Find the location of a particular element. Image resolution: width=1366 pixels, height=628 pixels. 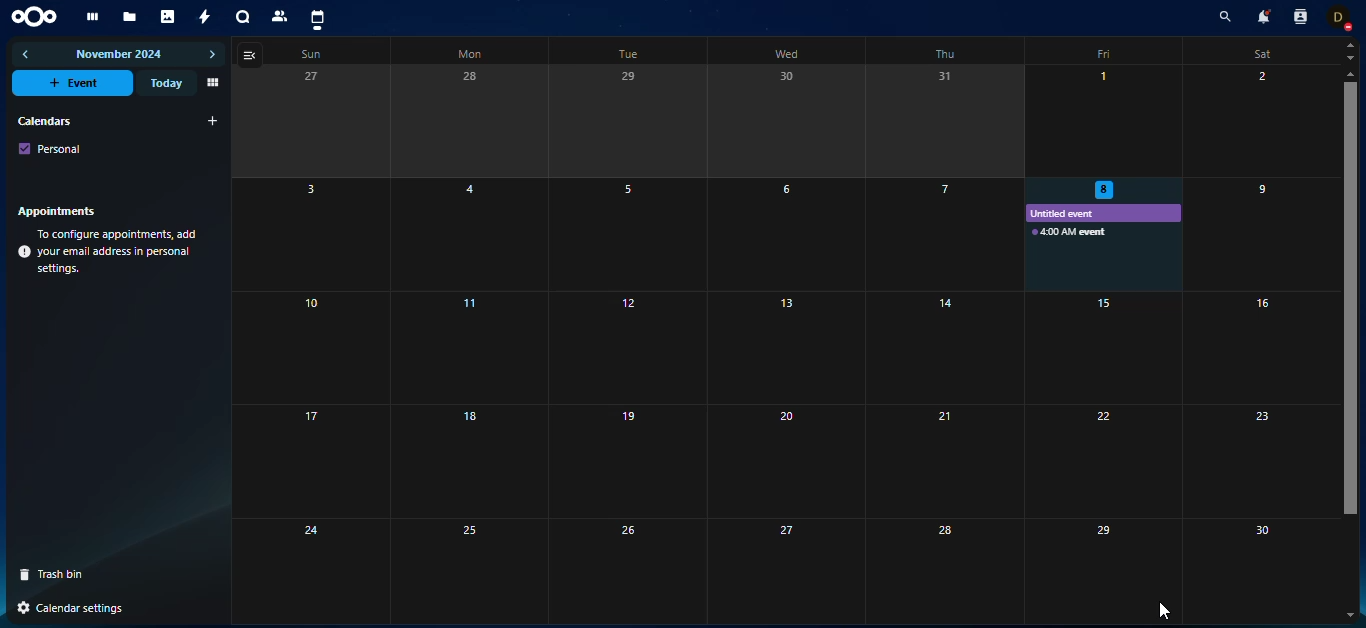

28 is located at coordinates (472, 122).